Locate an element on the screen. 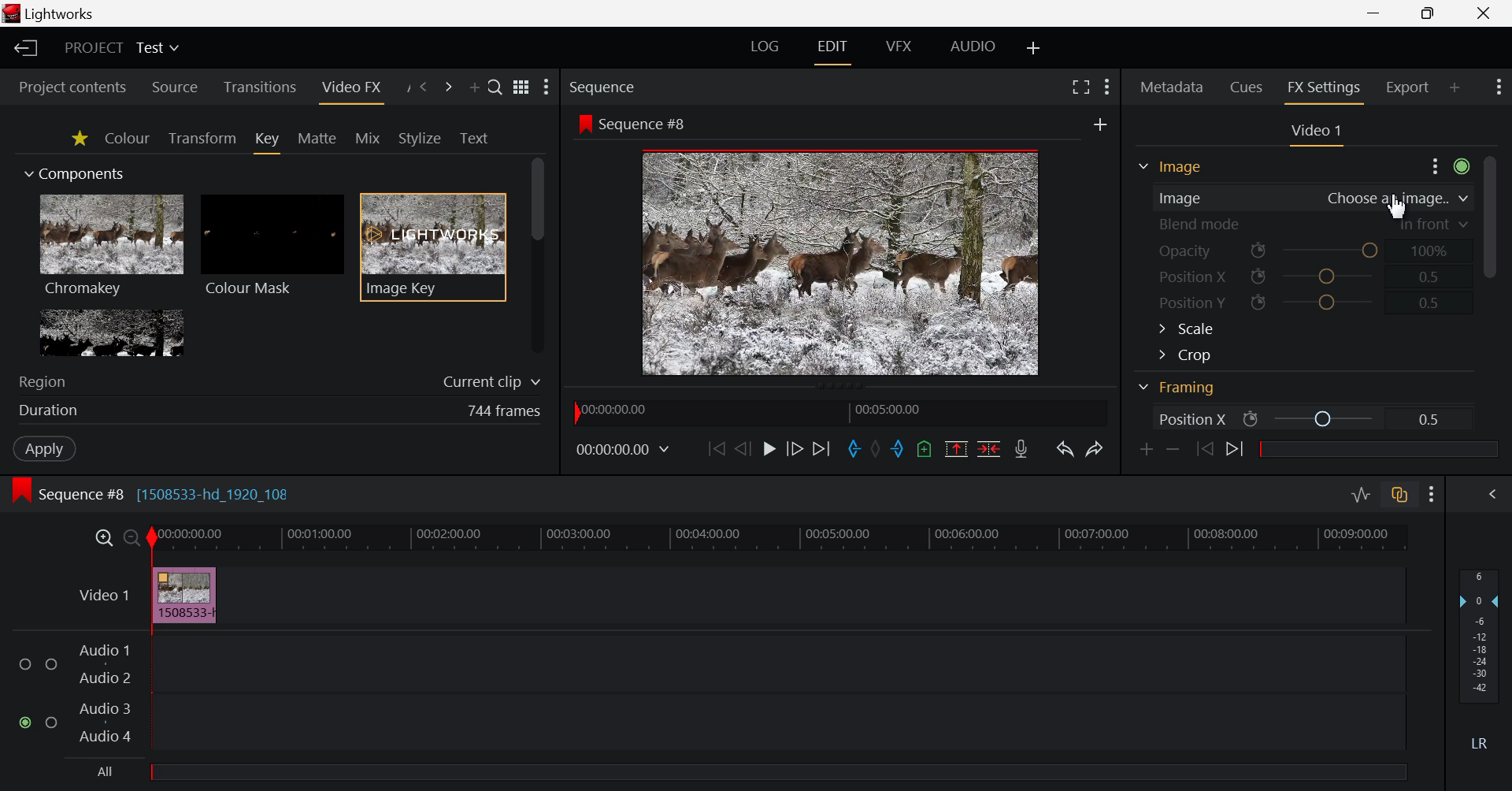 This screenshot has width=1512, height=791. Toggle auto track sync is located at coordinates (1400, 496).